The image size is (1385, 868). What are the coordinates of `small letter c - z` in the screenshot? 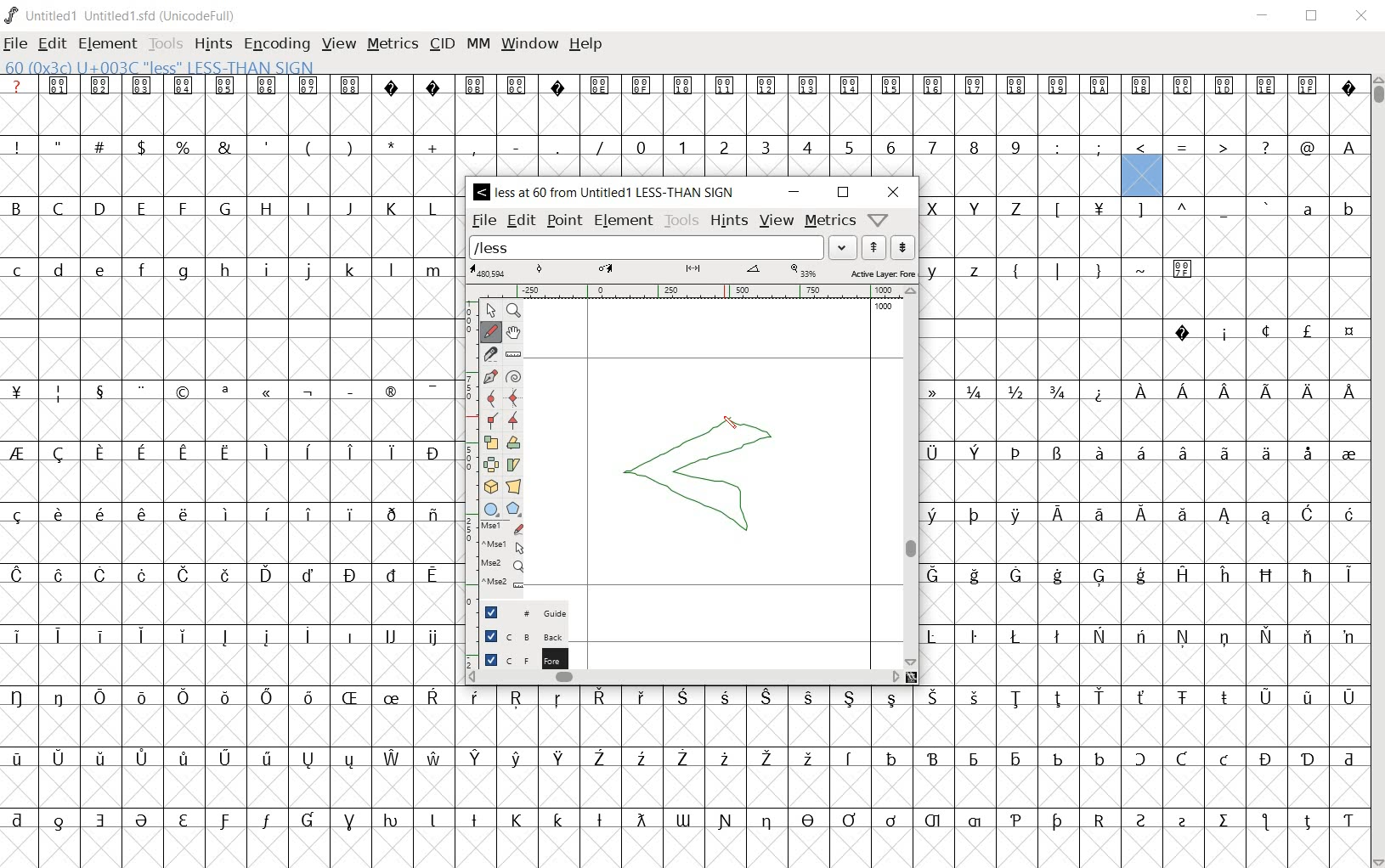 It's located at (229, 267).